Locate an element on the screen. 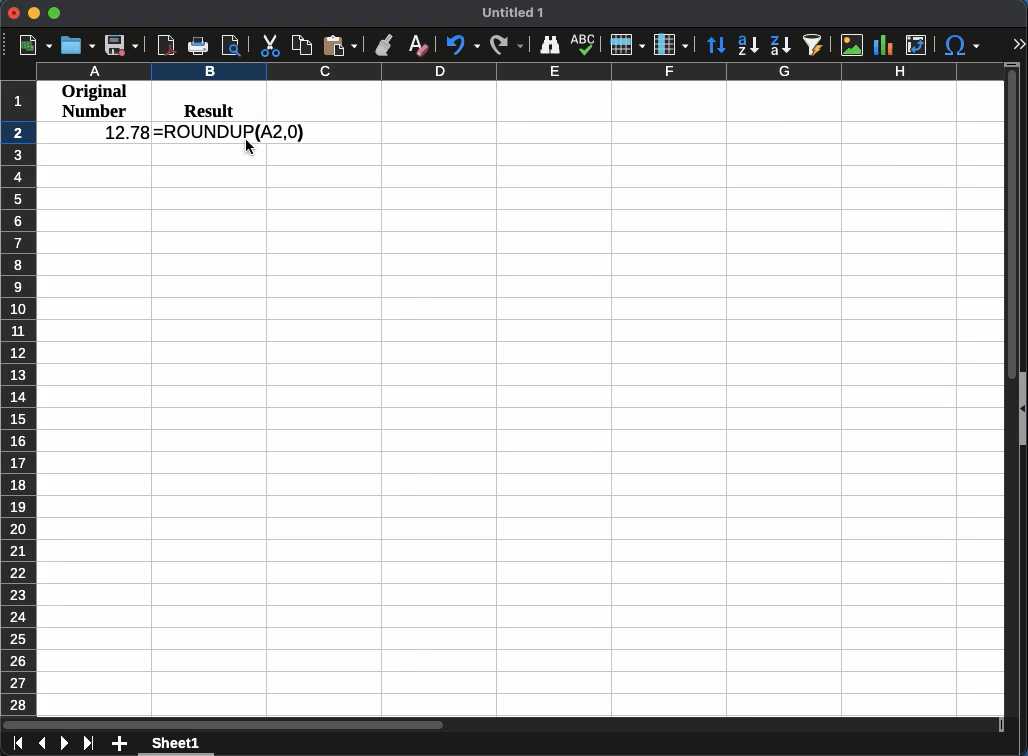 The width and height of the screenshot is (1028, 756). paste is located at coordinates (339, 46).